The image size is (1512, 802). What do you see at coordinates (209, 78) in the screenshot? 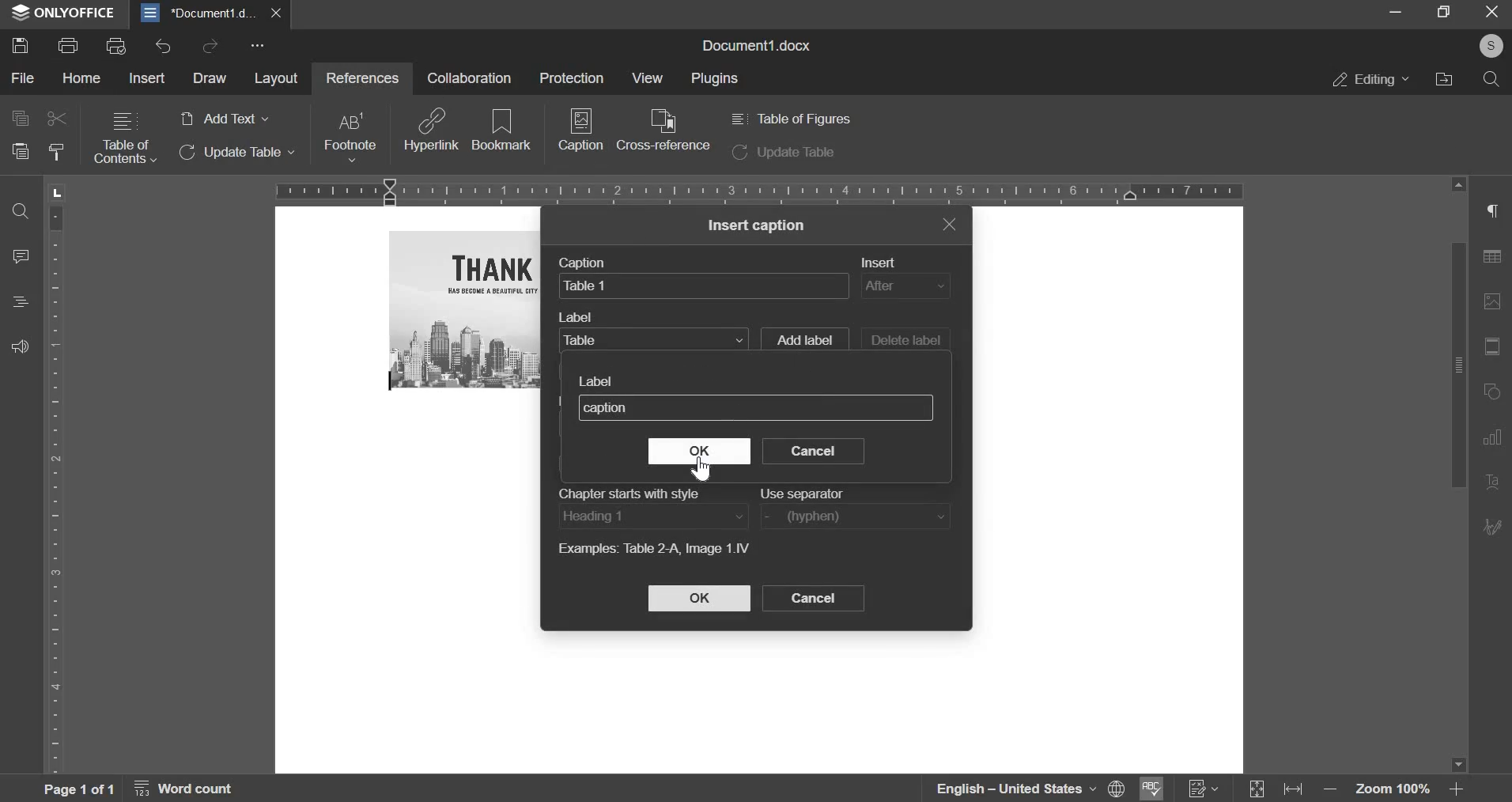
I see `draw` at bounding box center [209, 78].